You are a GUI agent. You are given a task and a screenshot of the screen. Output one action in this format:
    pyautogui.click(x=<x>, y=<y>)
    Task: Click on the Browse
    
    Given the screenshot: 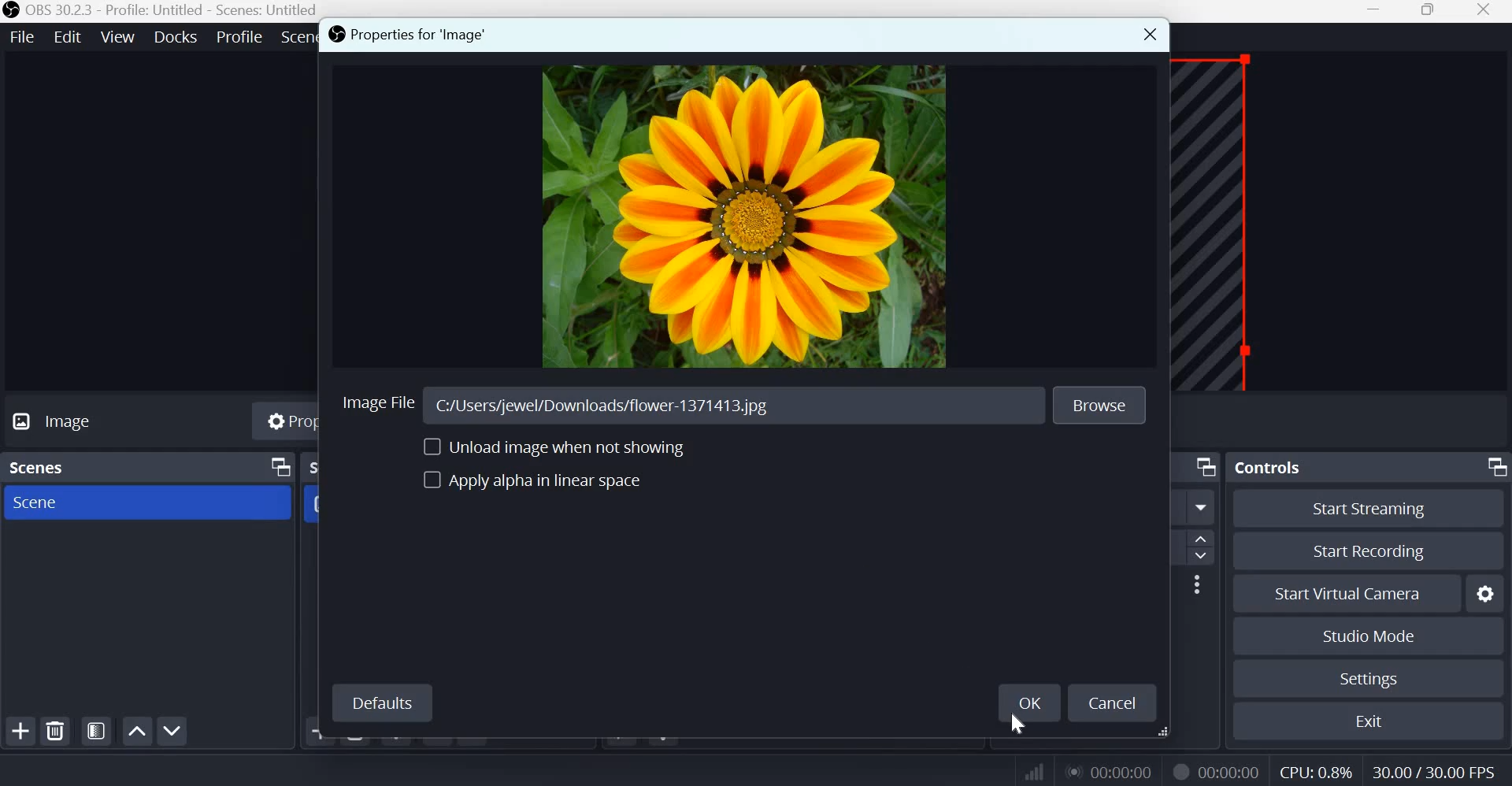 What is the action you would take?
    pyautogui.click(x=1104, y=406)
    